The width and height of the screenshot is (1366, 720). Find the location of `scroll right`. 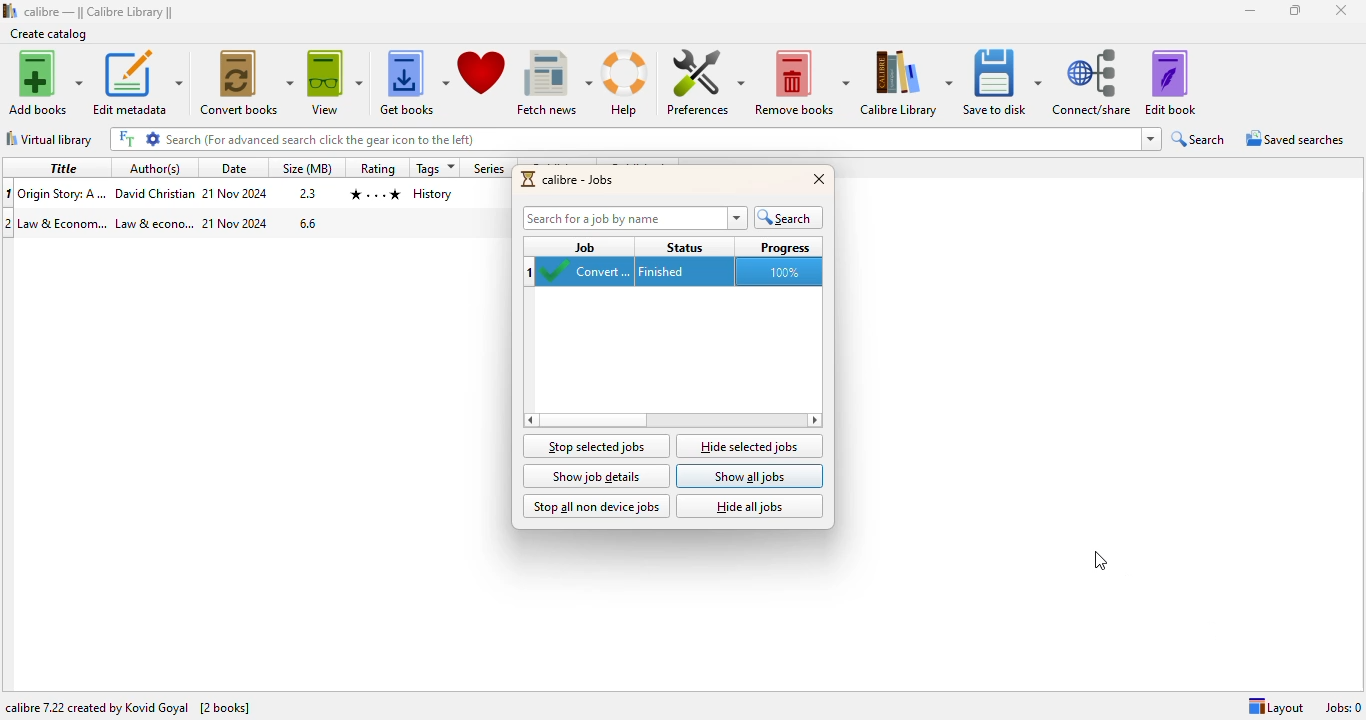

scroll right is located at coordinates (529, 419).